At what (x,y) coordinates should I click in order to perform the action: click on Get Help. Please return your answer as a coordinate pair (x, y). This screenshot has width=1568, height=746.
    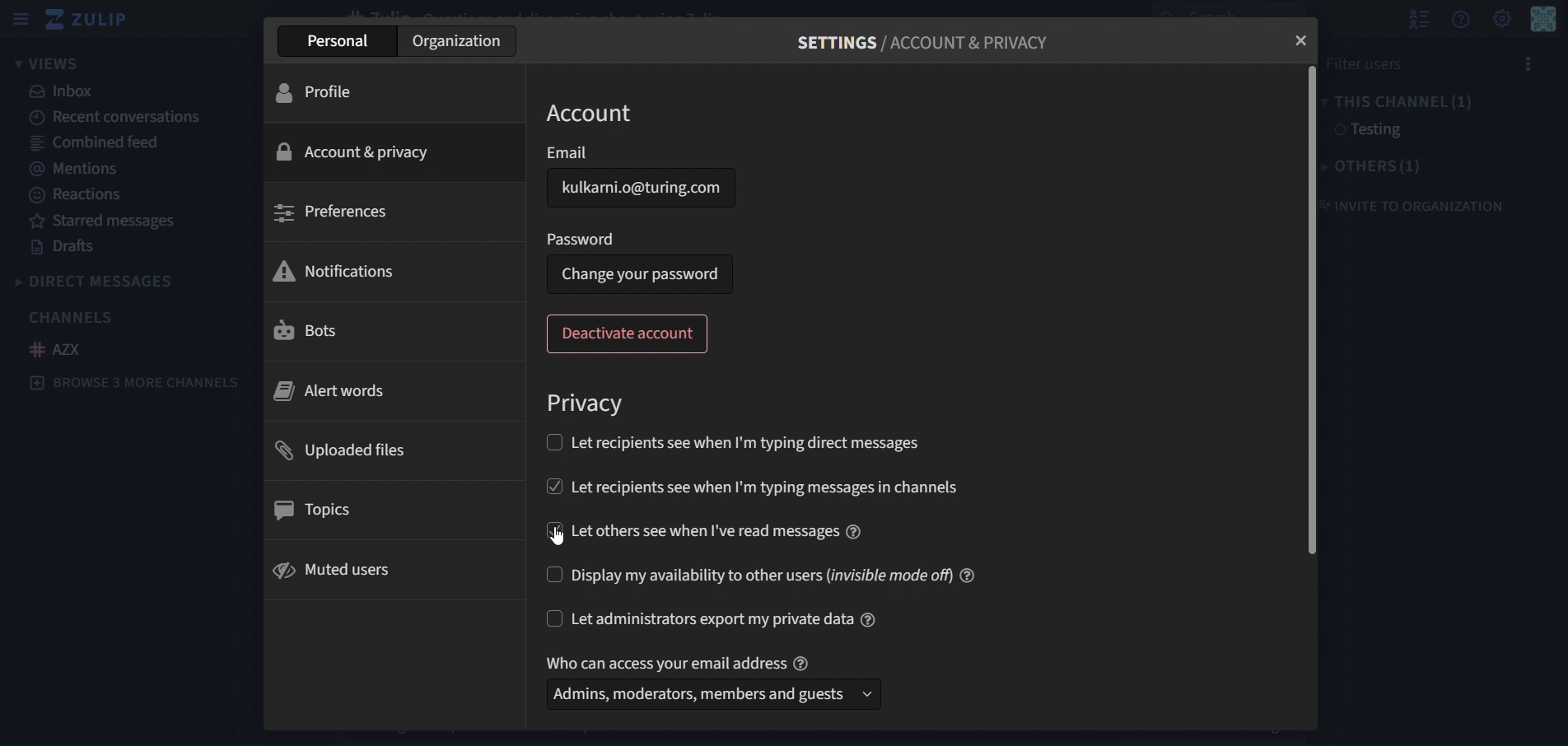
    Looking at the image, I should click on (1543, 19).